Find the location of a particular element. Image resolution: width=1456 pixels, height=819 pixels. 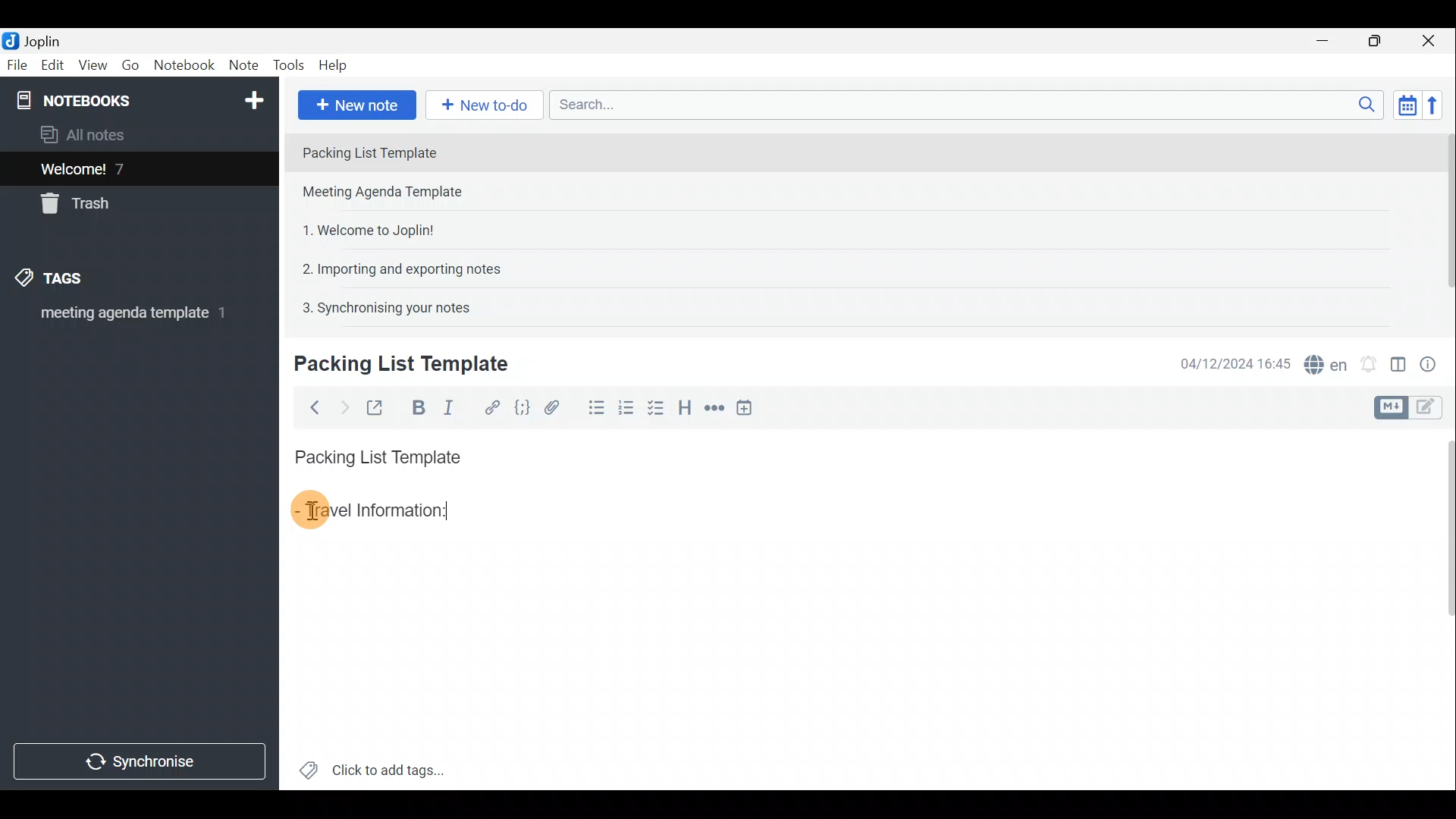

Travel Information: is located at coordinates (384, 512).